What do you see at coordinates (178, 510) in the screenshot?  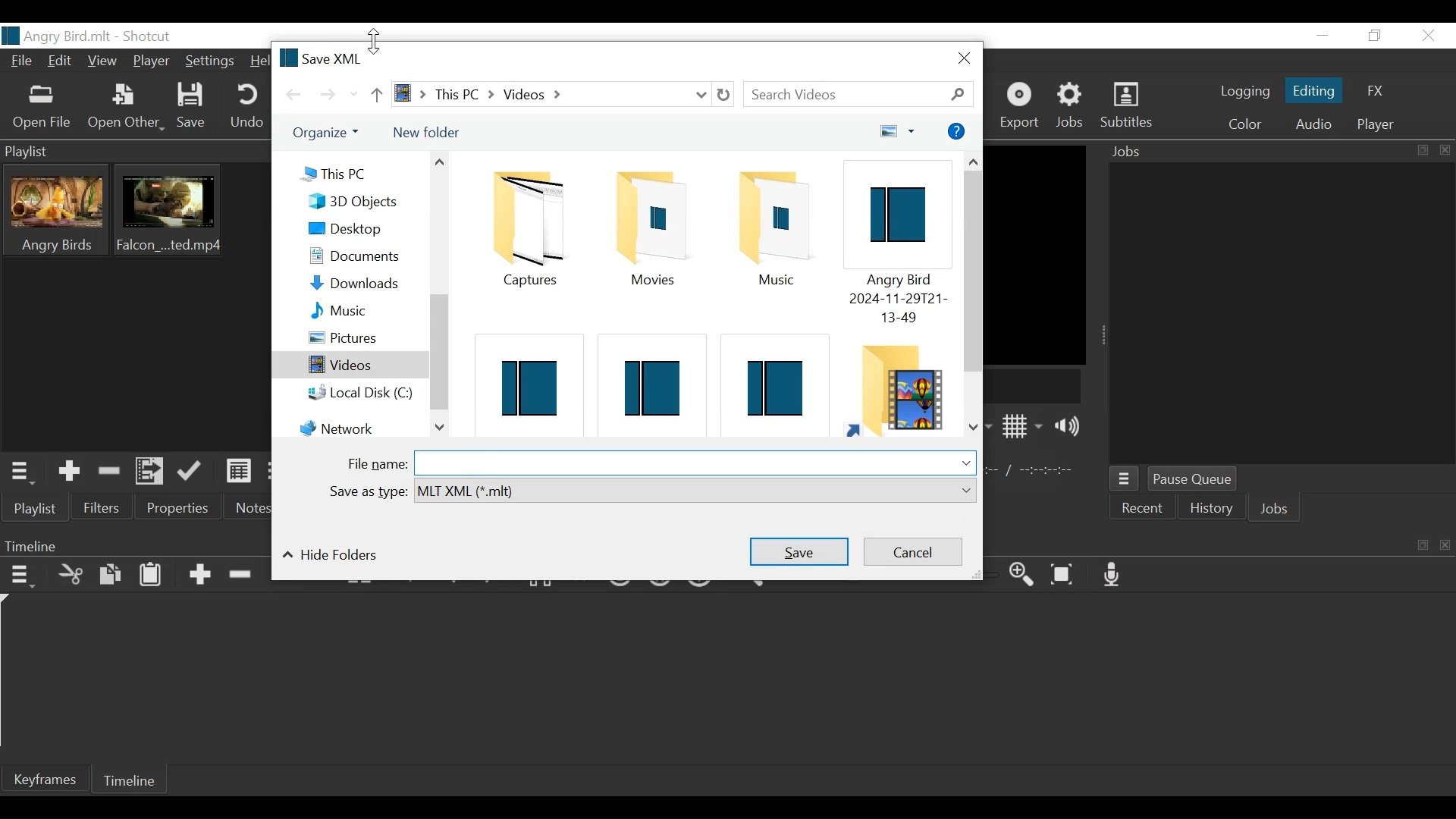 I see `Properties` at bounding box center [178, 510].